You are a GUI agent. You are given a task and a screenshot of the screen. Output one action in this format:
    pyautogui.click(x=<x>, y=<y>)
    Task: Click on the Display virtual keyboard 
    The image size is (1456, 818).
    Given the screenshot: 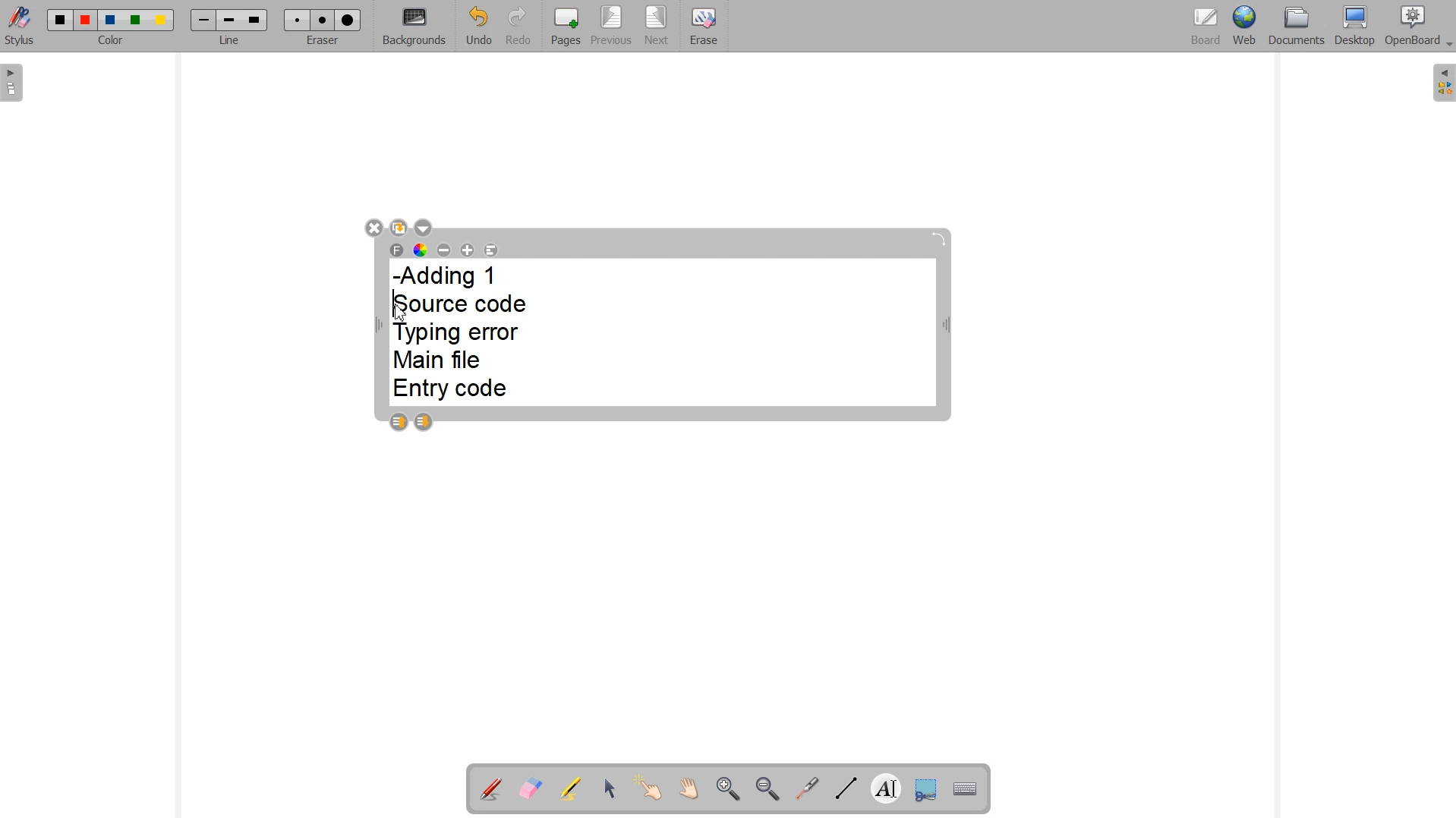 What is the action you would take?
    pyautogui.click(x=966, y=787)
    